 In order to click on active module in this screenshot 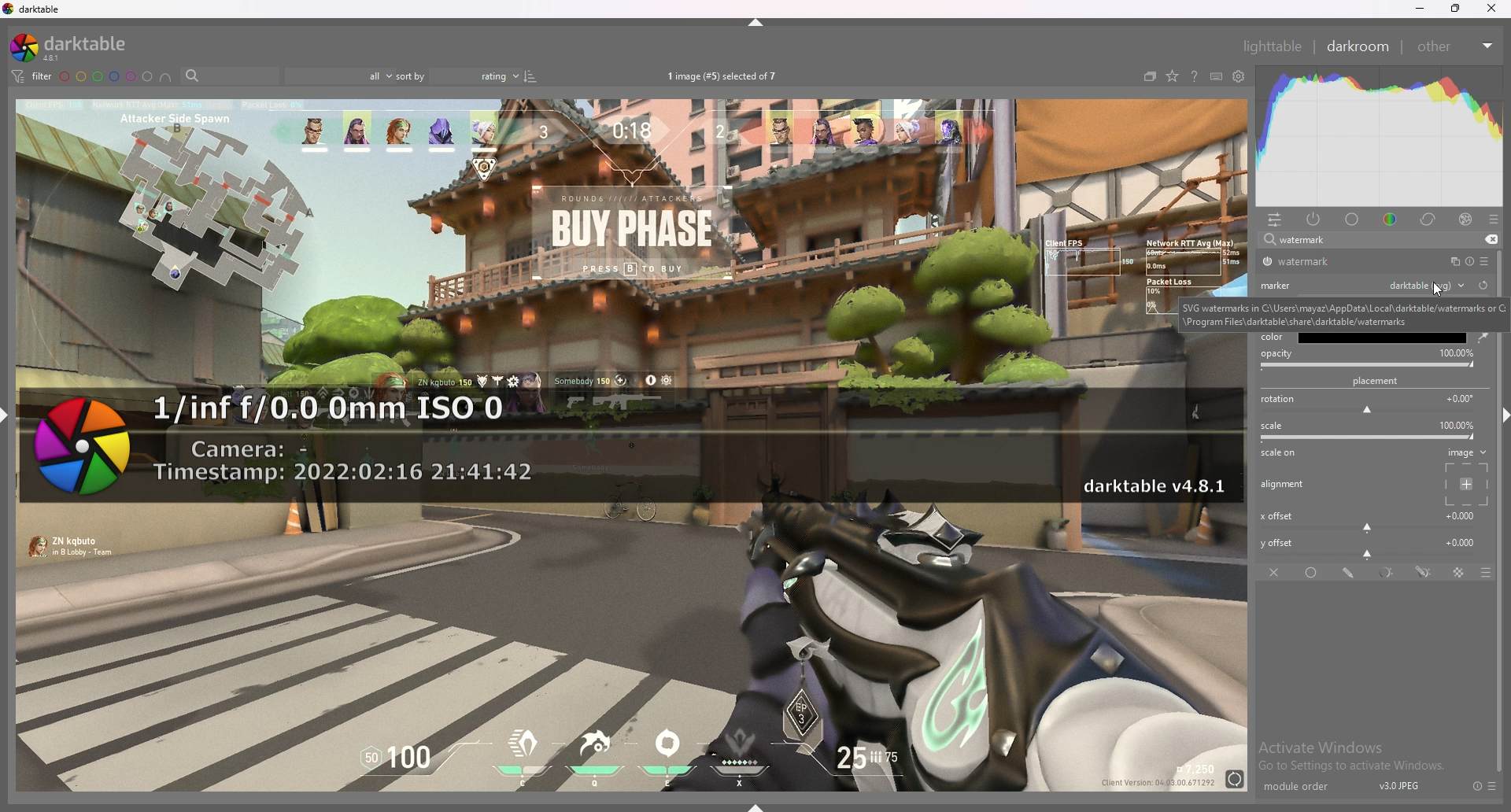, I will do `click(1314, 219)`.